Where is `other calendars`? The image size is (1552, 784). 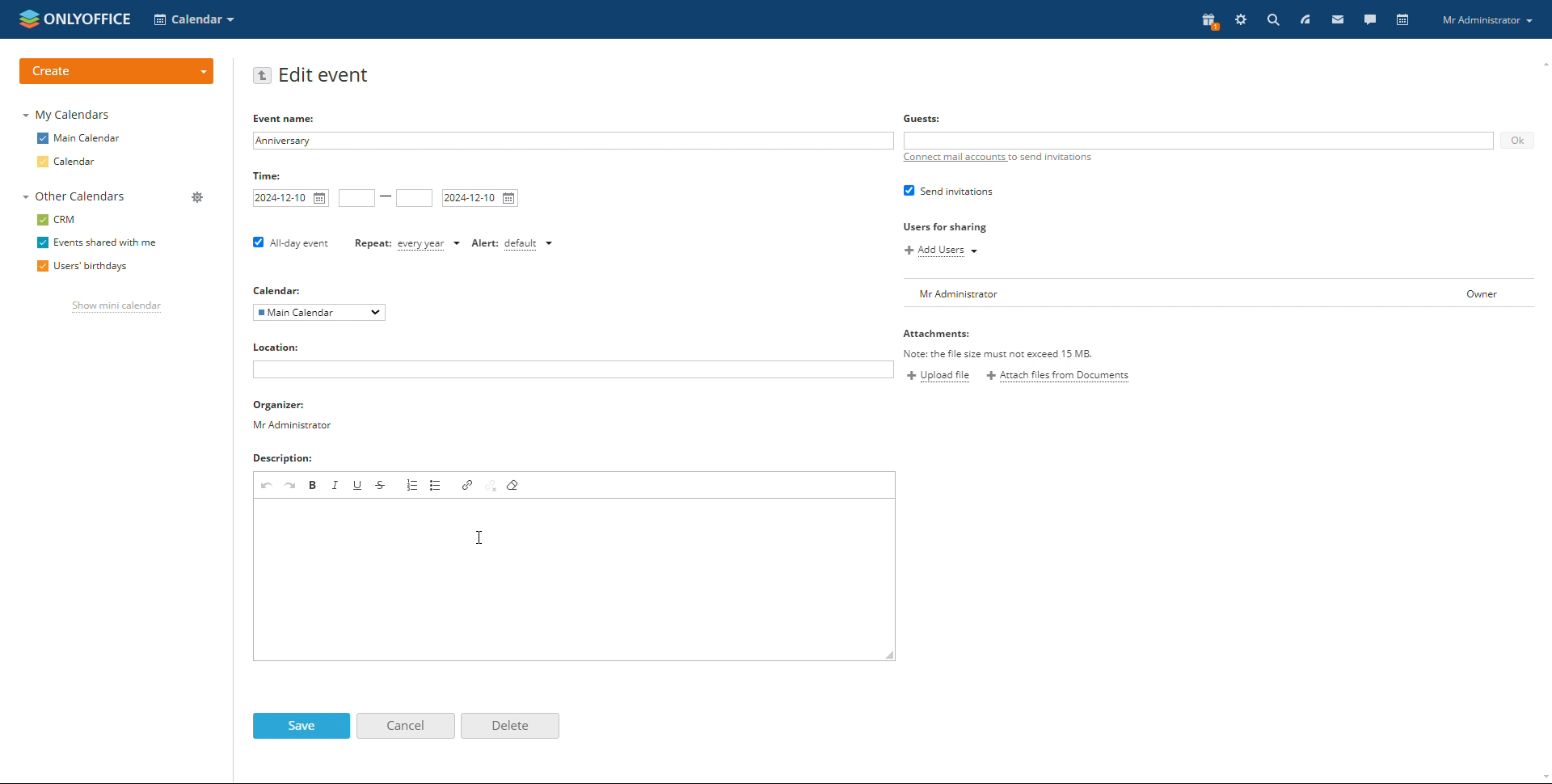
other calendars is located at coordinates (72, 197).